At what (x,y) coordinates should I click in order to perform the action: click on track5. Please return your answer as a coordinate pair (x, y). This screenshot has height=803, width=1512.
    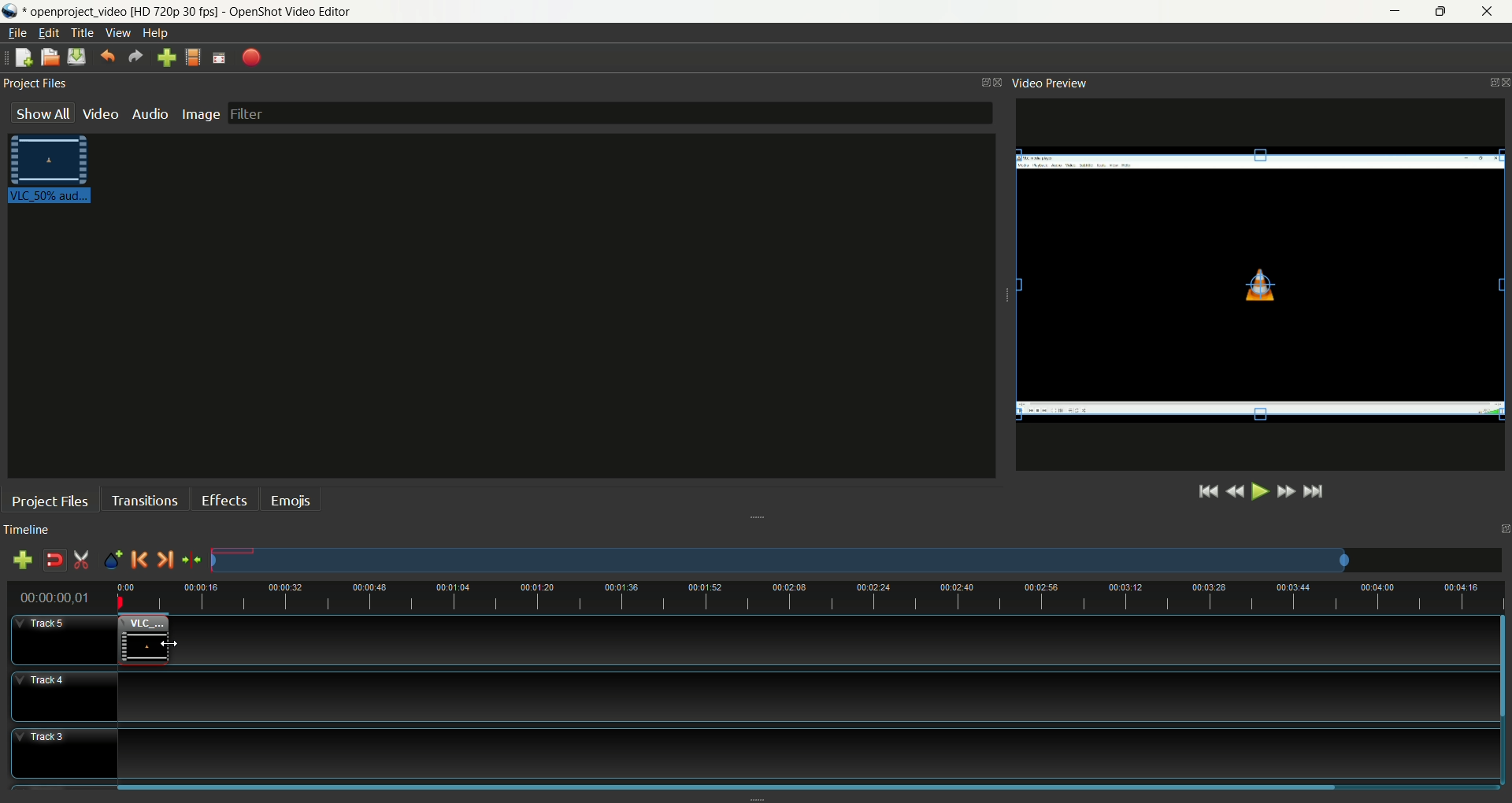
    Looking at the image, I should click on (65, 639).